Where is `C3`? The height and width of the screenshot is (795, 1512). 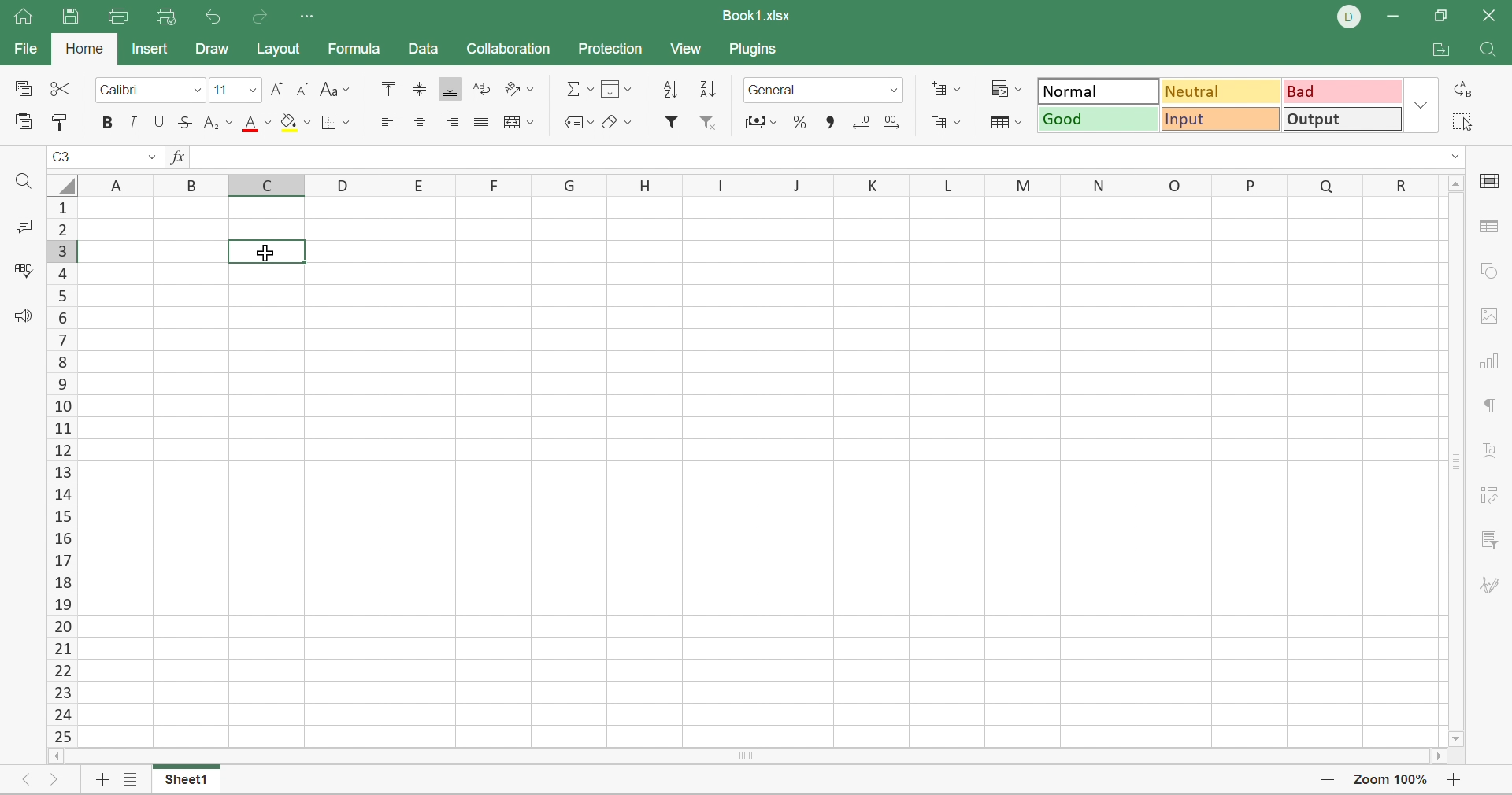
C3 is located at coordinates (63, 158).